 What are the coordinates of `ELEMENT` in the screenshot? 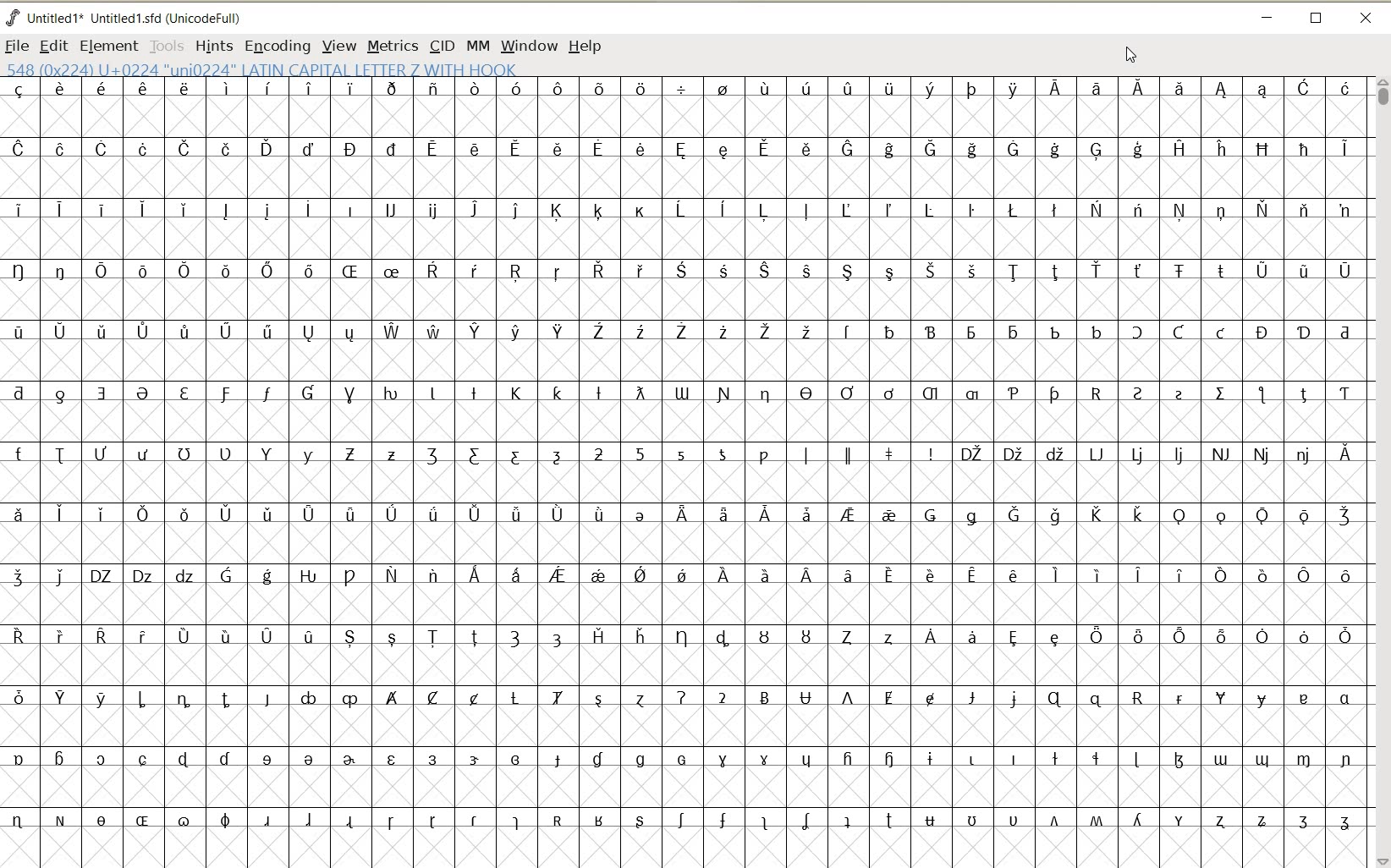 It's located at (108, 47).